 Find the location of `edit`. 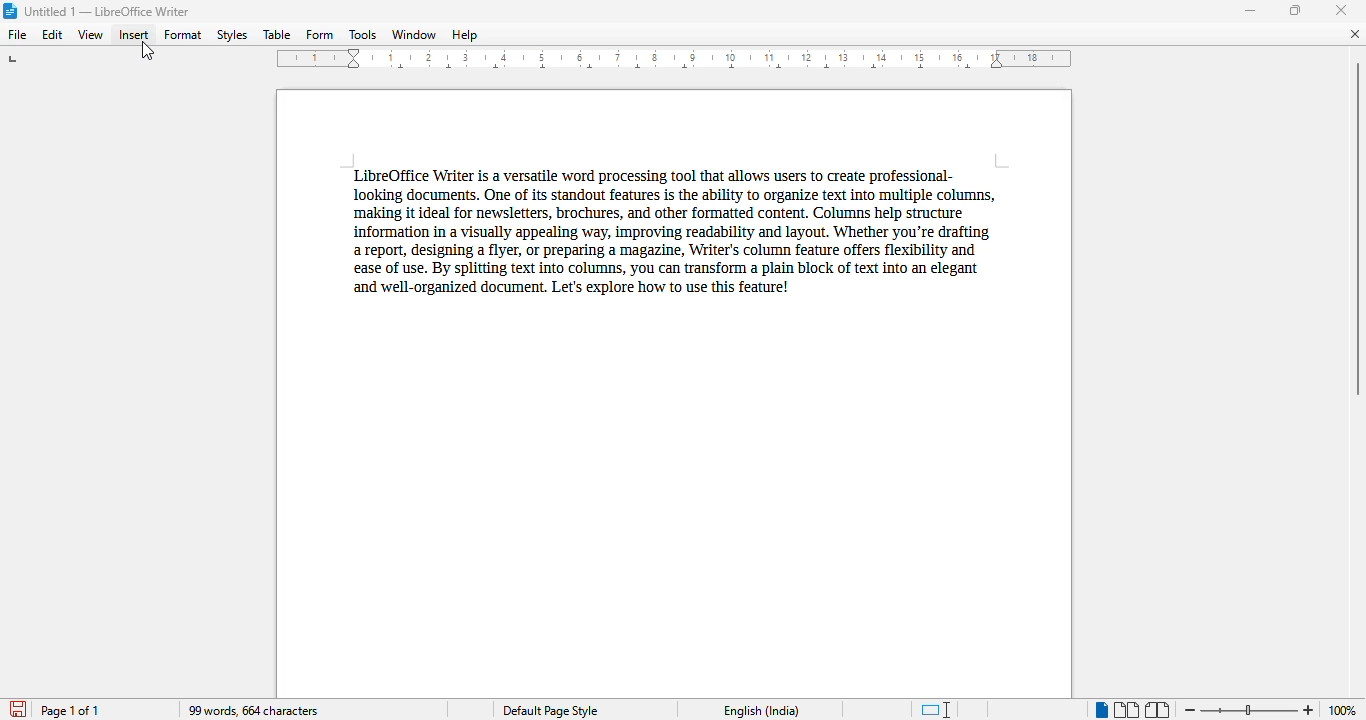

edit is located at coordinates (53, 35).